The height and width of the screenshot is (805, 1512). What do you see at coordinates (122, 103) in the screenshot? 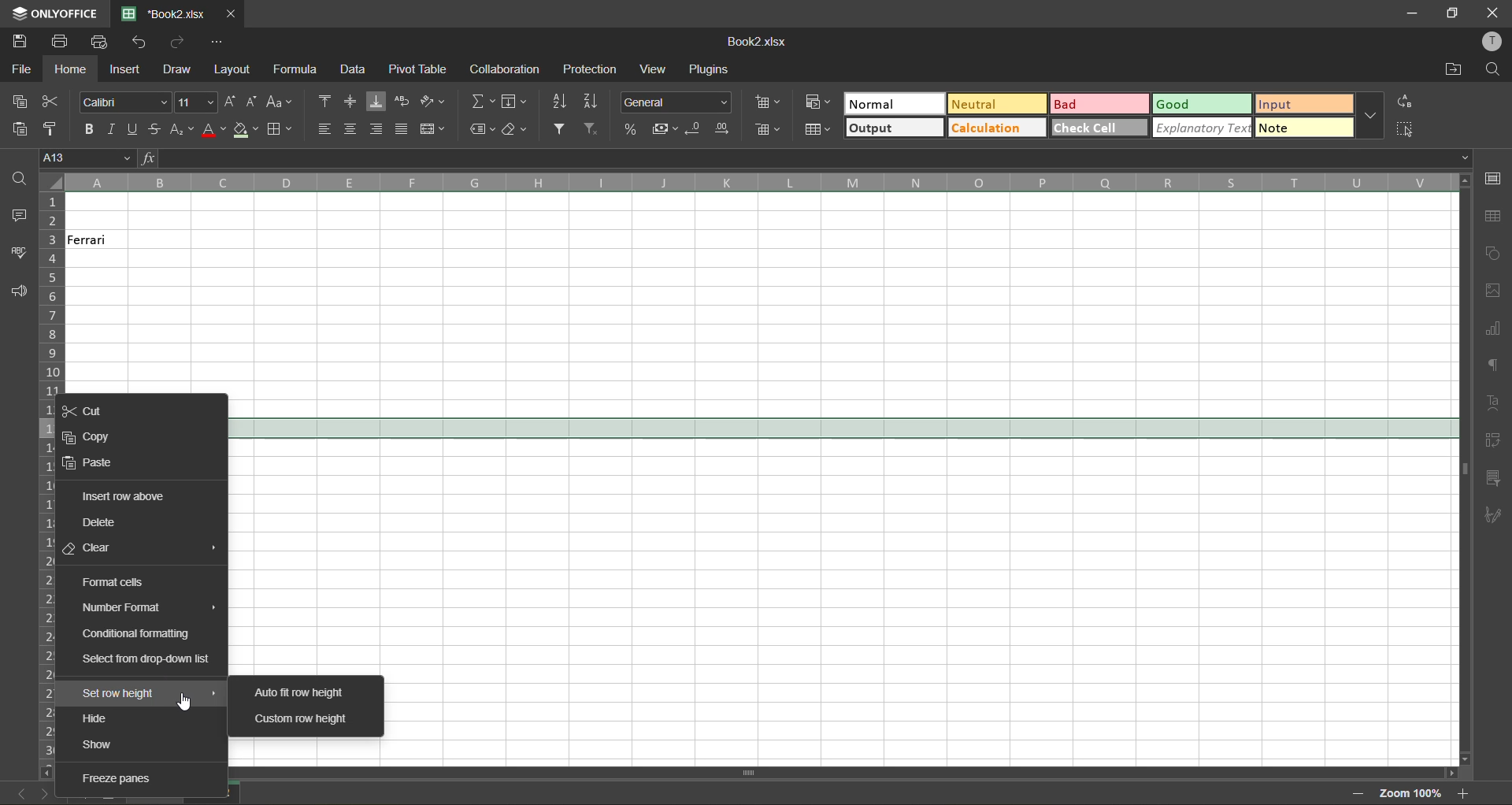
I see `font style` at bounding box center [122, 103].